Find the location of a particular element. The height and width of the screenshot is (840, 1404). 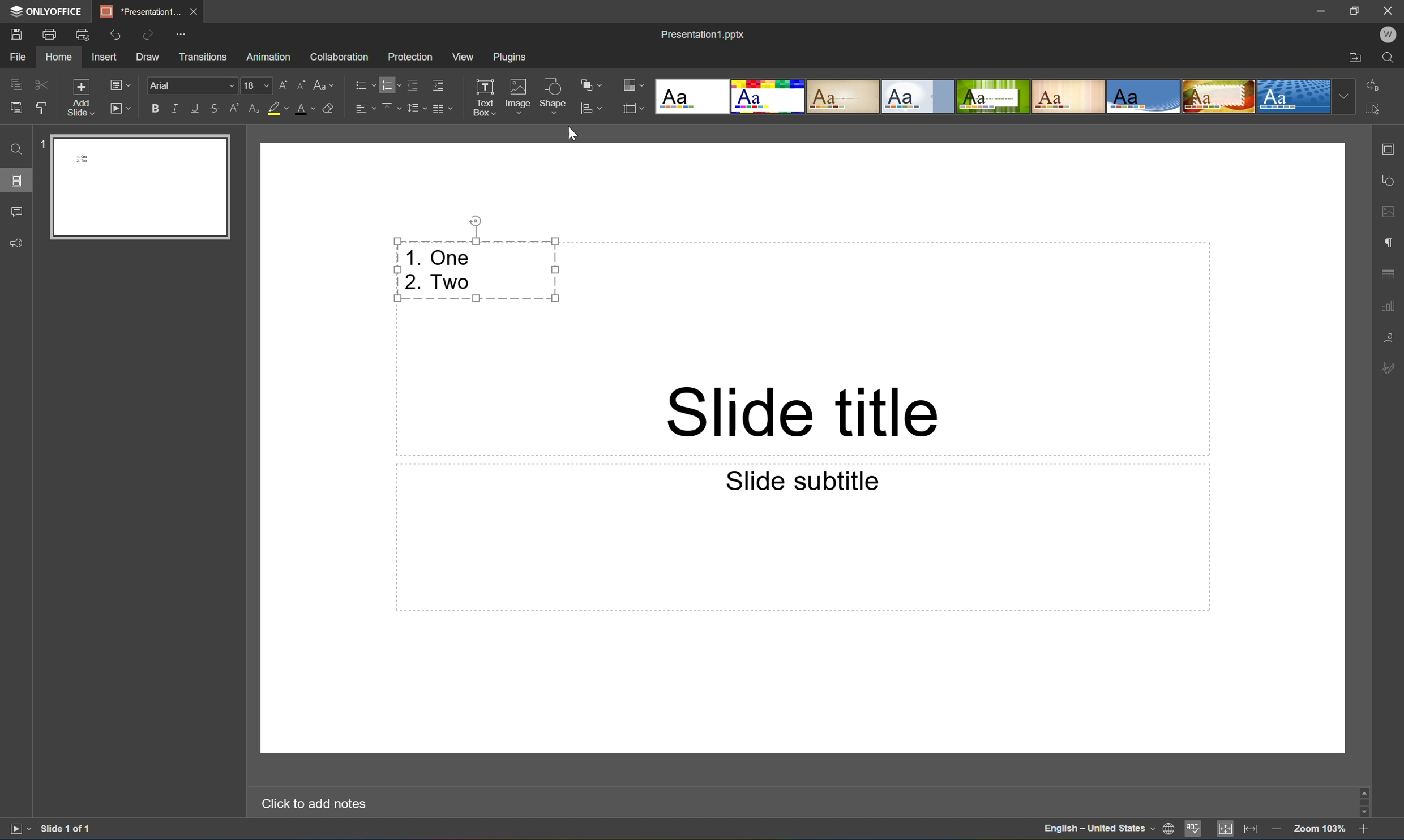

Font color is located at coordinates (304, 110).